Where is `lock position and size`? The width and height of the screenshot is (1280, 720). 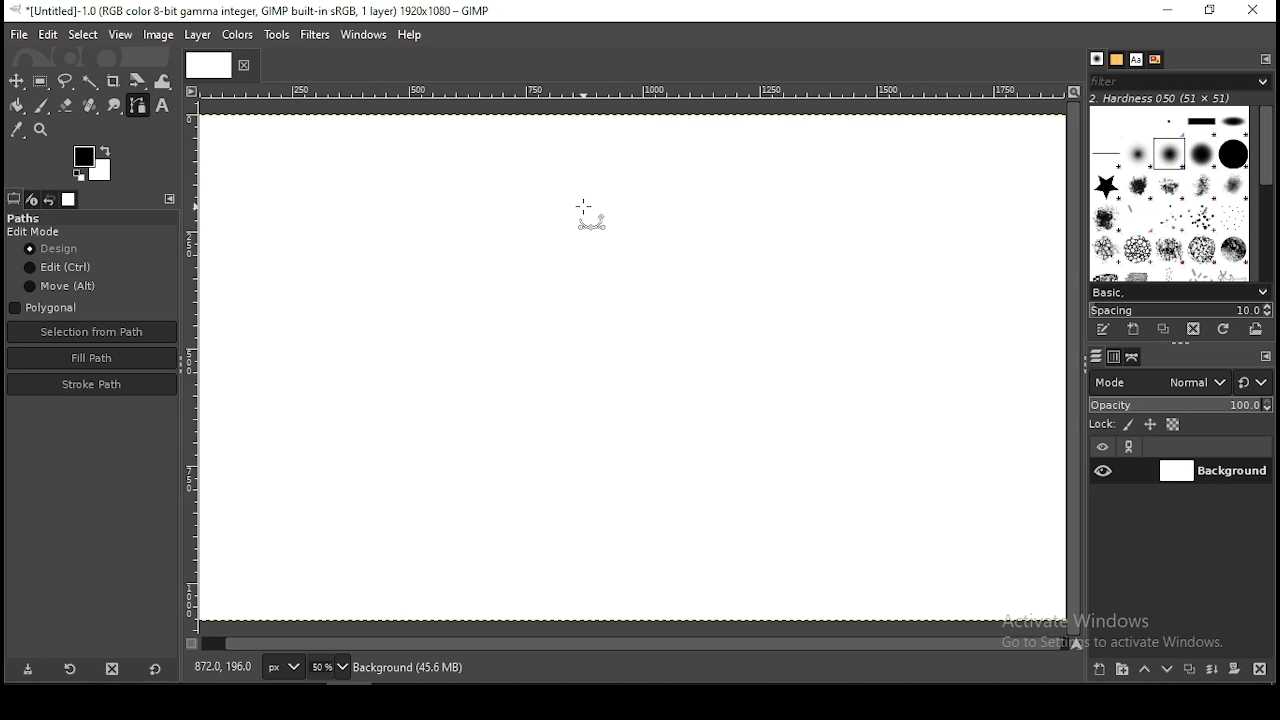 lock position and size is located at coordinates (1150, 424).